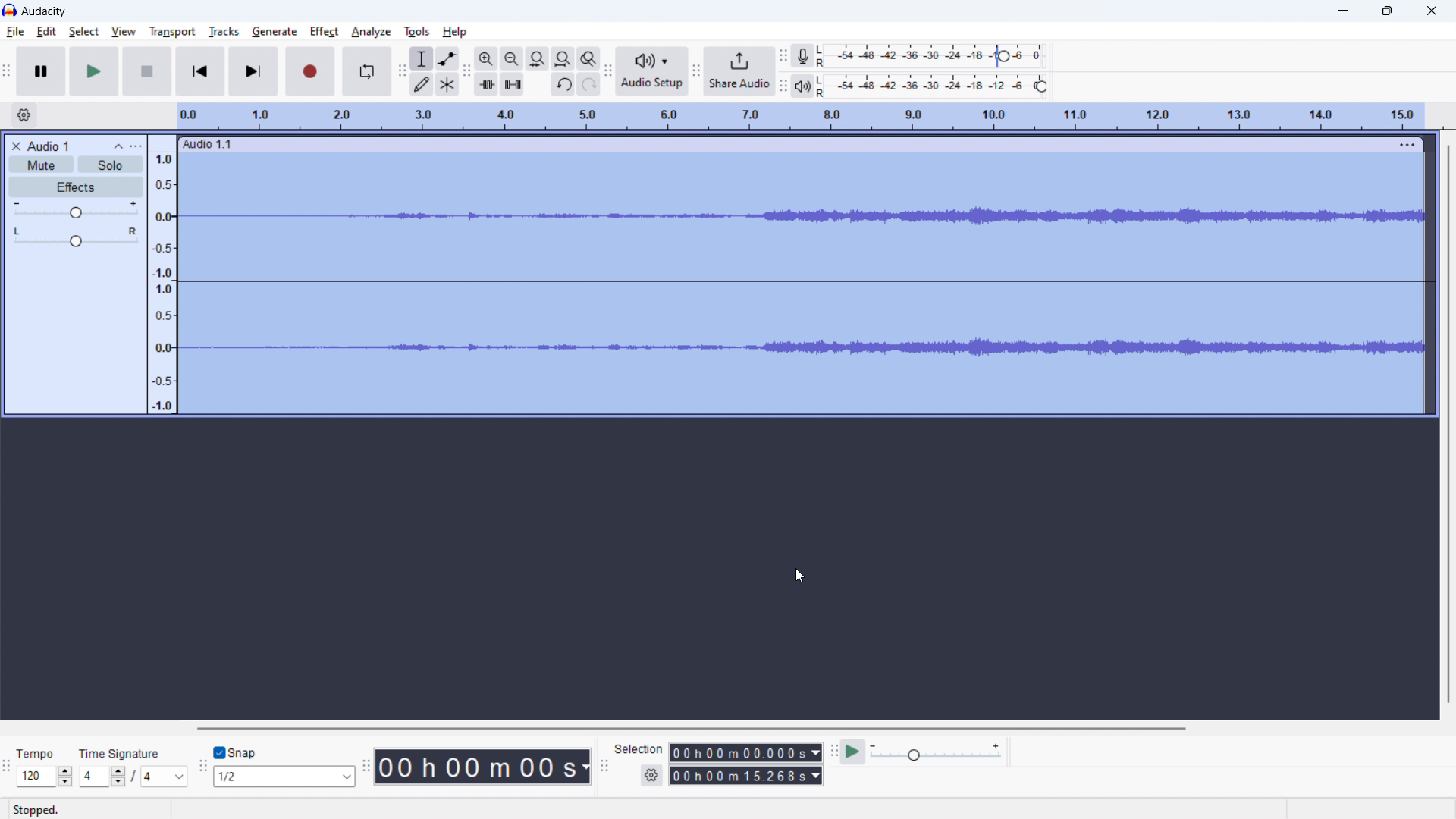 Image resolution: width=1456 pixels, height=819 pixels. What do you see at coordinates (801, 117) in the screenshot?
I see `timeline` at bounding box center [801, 117].